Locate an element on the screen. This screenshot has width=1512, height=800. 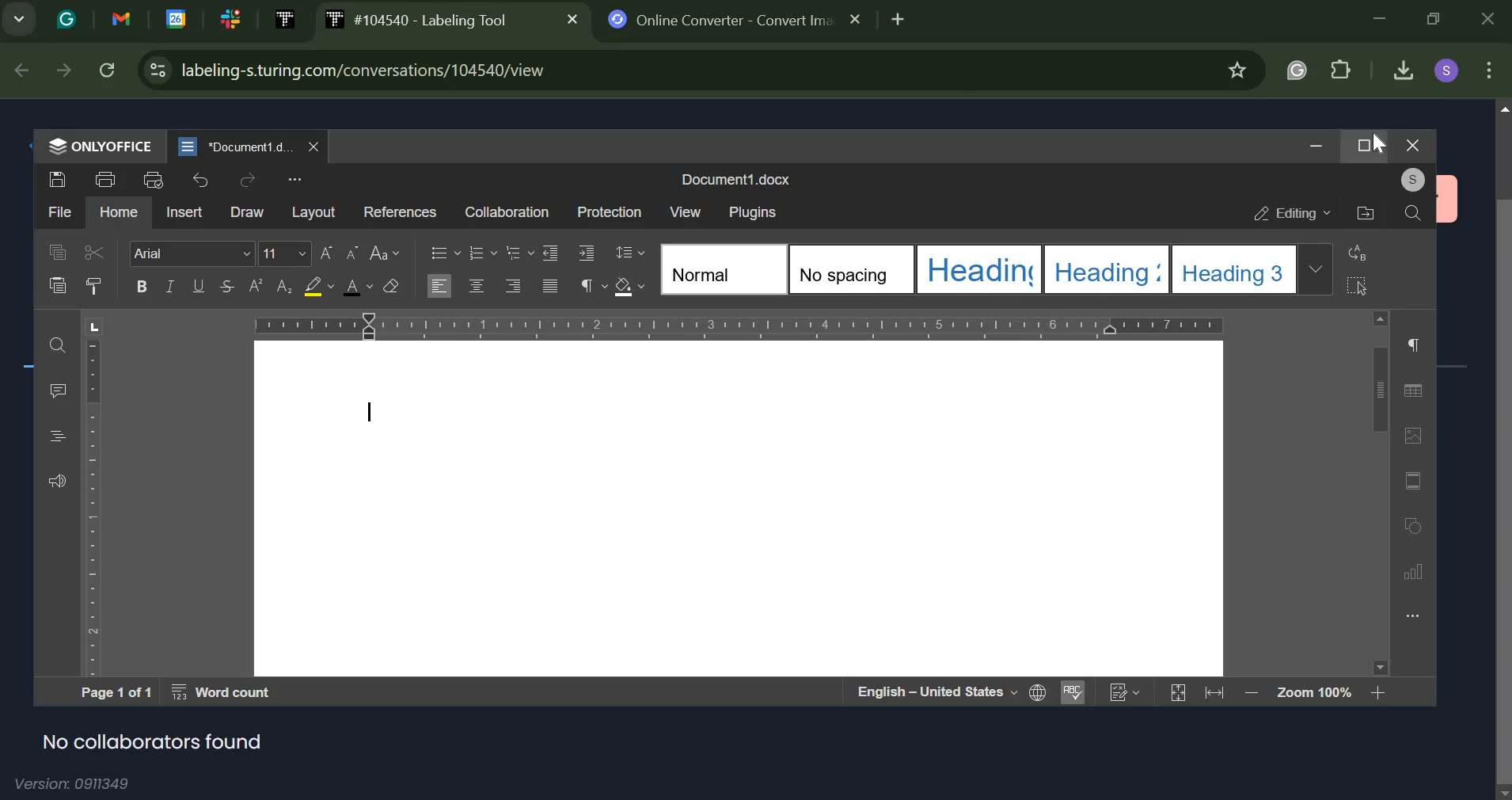
underline is located at coordinates (198, 285).